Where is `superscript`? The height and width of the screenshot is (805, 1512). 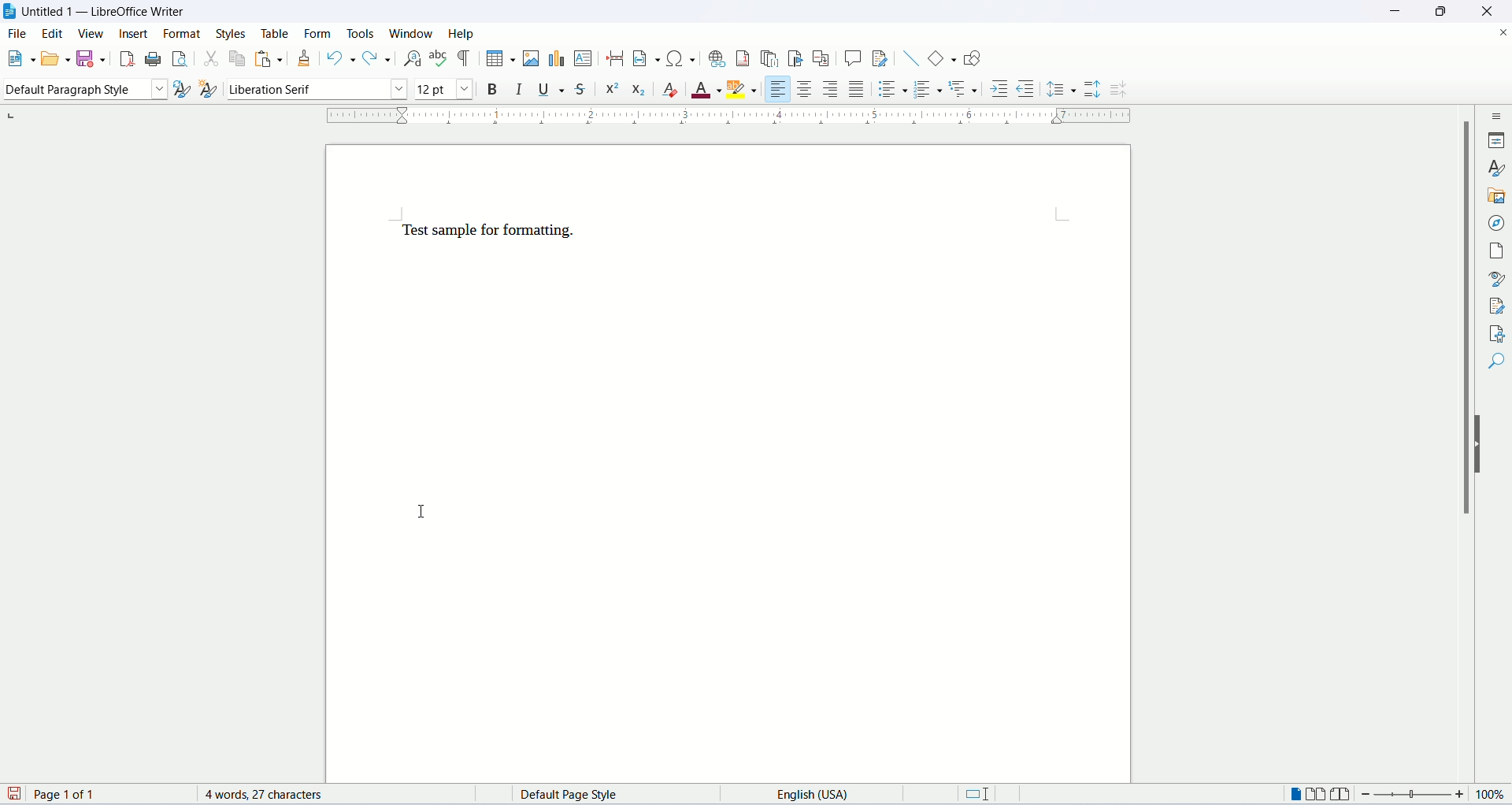
superscript is located at coordinates (613, 89).